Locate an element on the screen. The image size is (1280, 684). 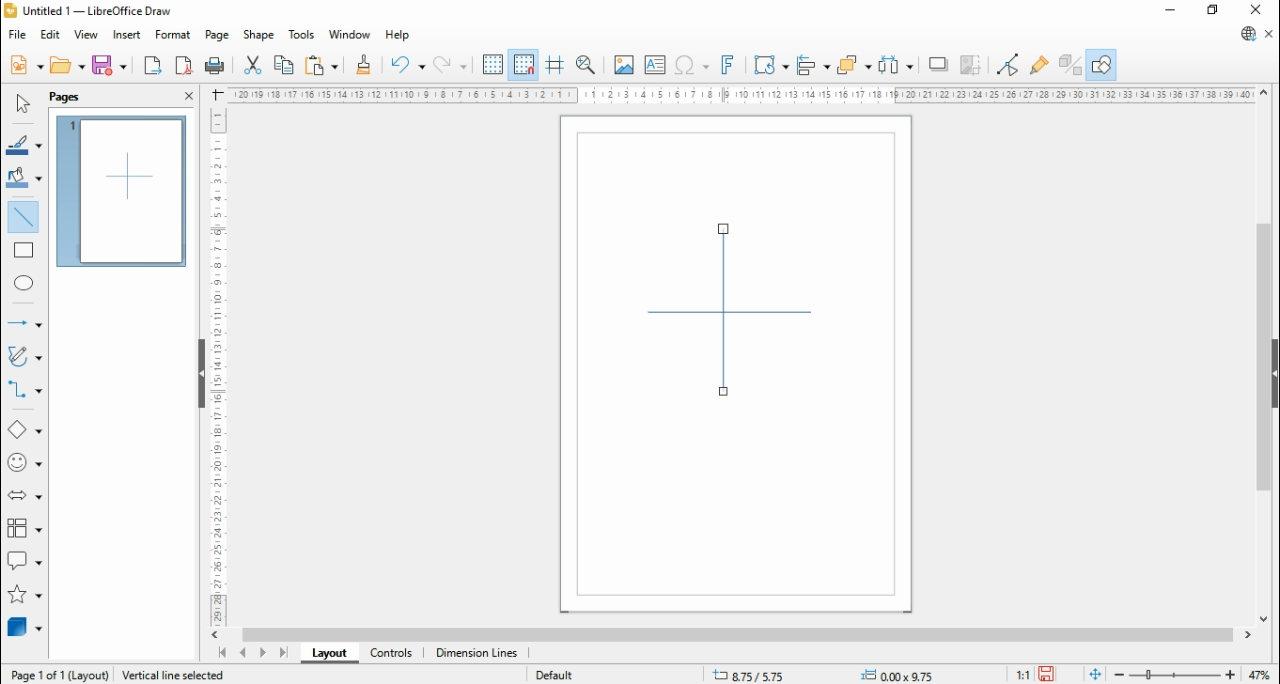
Scale is located at coordinates (218, 366).